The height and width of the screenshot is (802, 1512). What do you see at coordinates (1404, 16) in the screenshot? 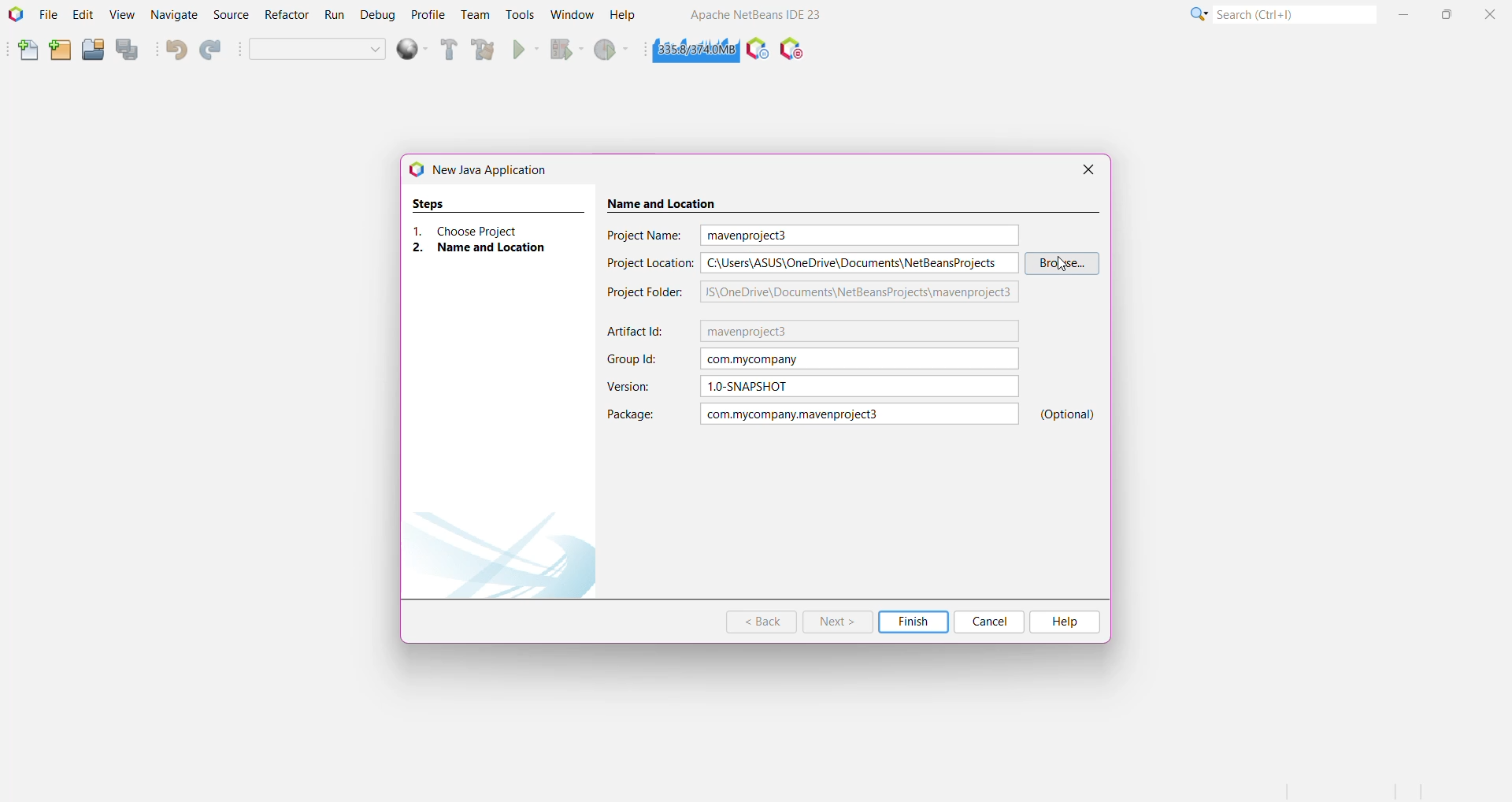
I see `Minimize` at bounding box center [1404, 16].